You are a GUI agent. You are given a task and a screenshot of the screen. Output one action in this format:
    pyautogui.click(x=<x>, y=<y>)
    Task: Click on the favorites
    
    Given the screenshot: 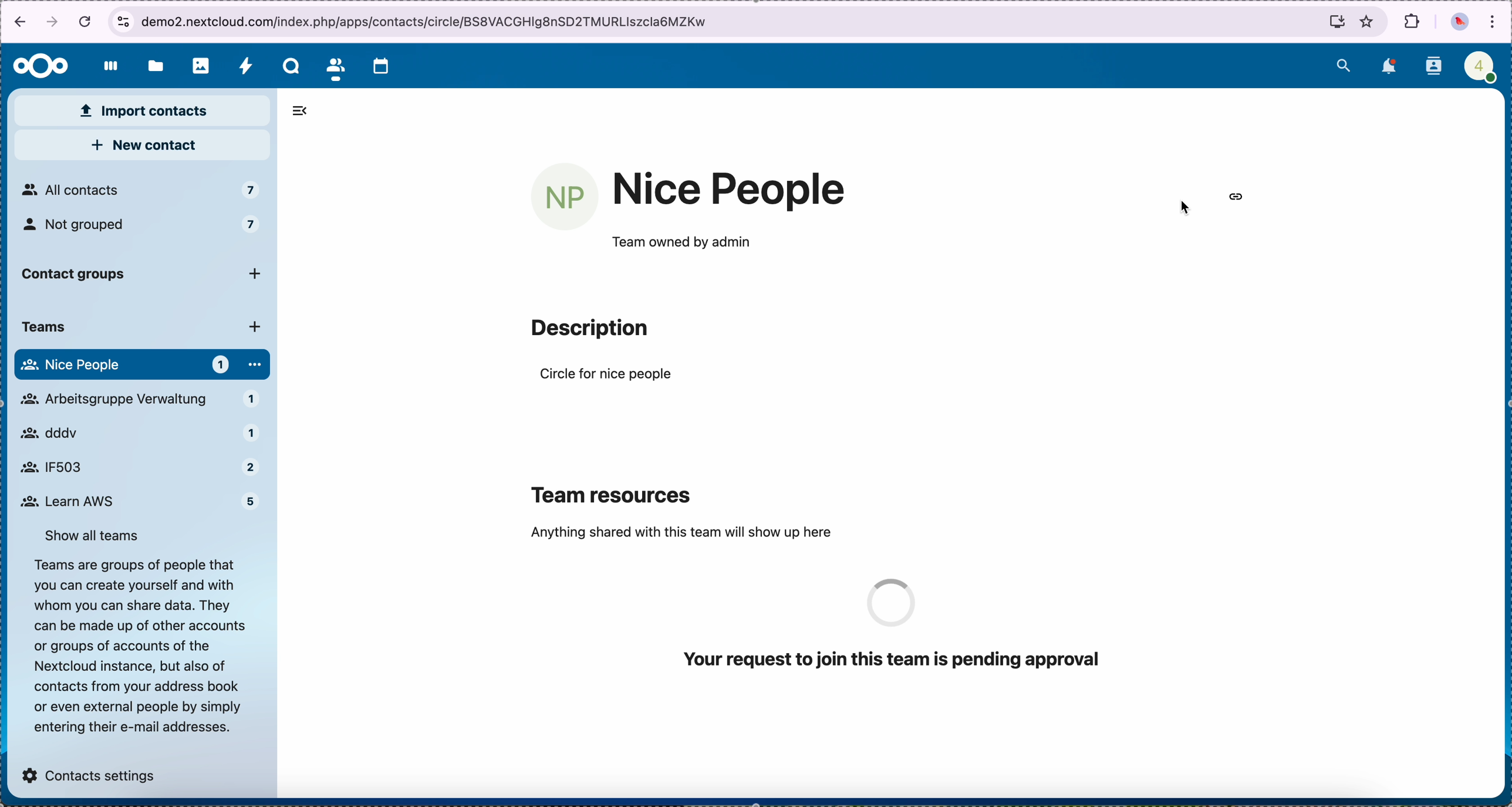 What is the action you would take?
    pyautogui.click(x=1368, y=21)
    